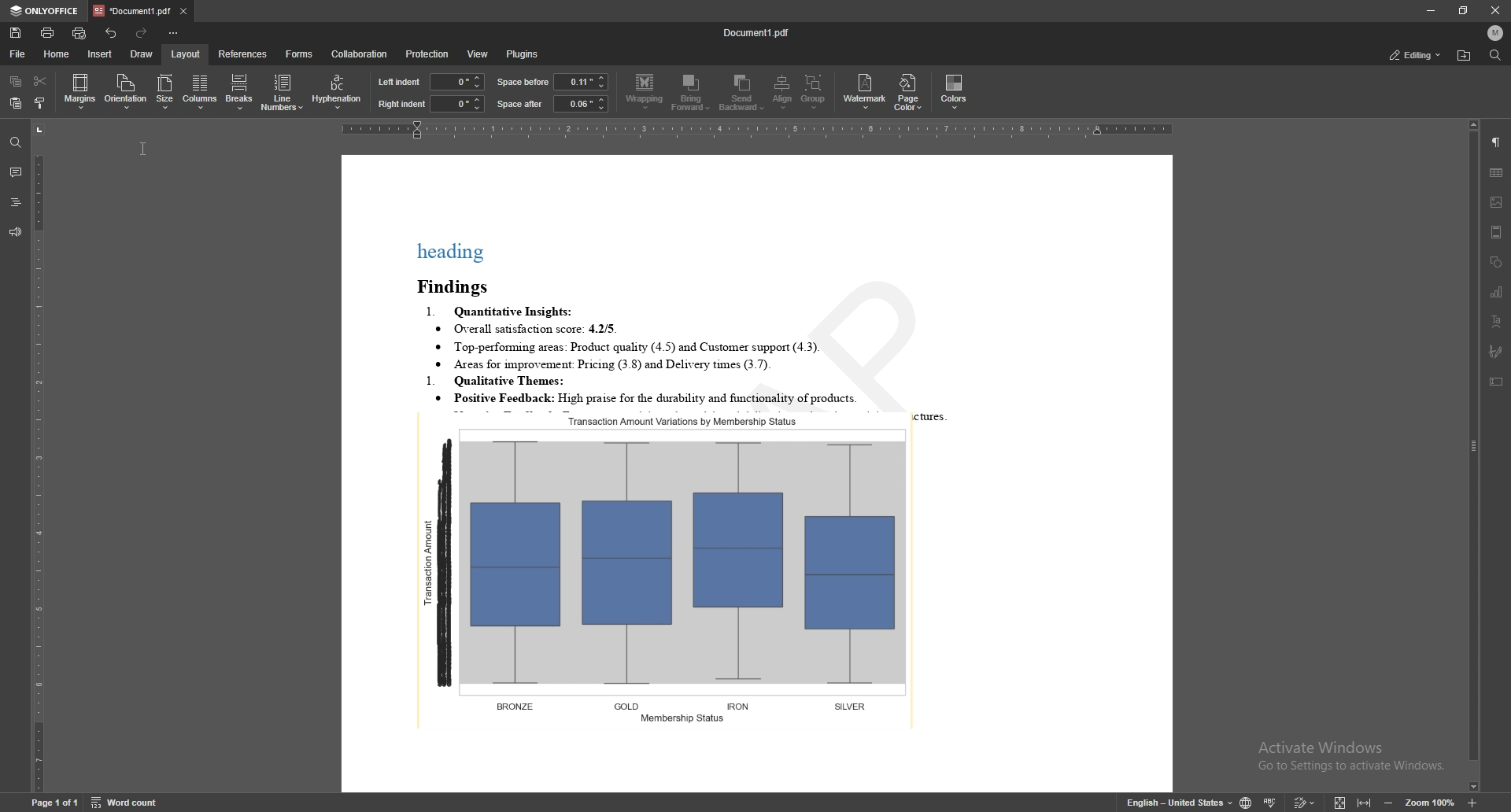 Image resolution: width=1511 pixels, height=812 pixels. Describe the element at coordinates (125, 90) in the screenshot. I see `orientation` at that location.